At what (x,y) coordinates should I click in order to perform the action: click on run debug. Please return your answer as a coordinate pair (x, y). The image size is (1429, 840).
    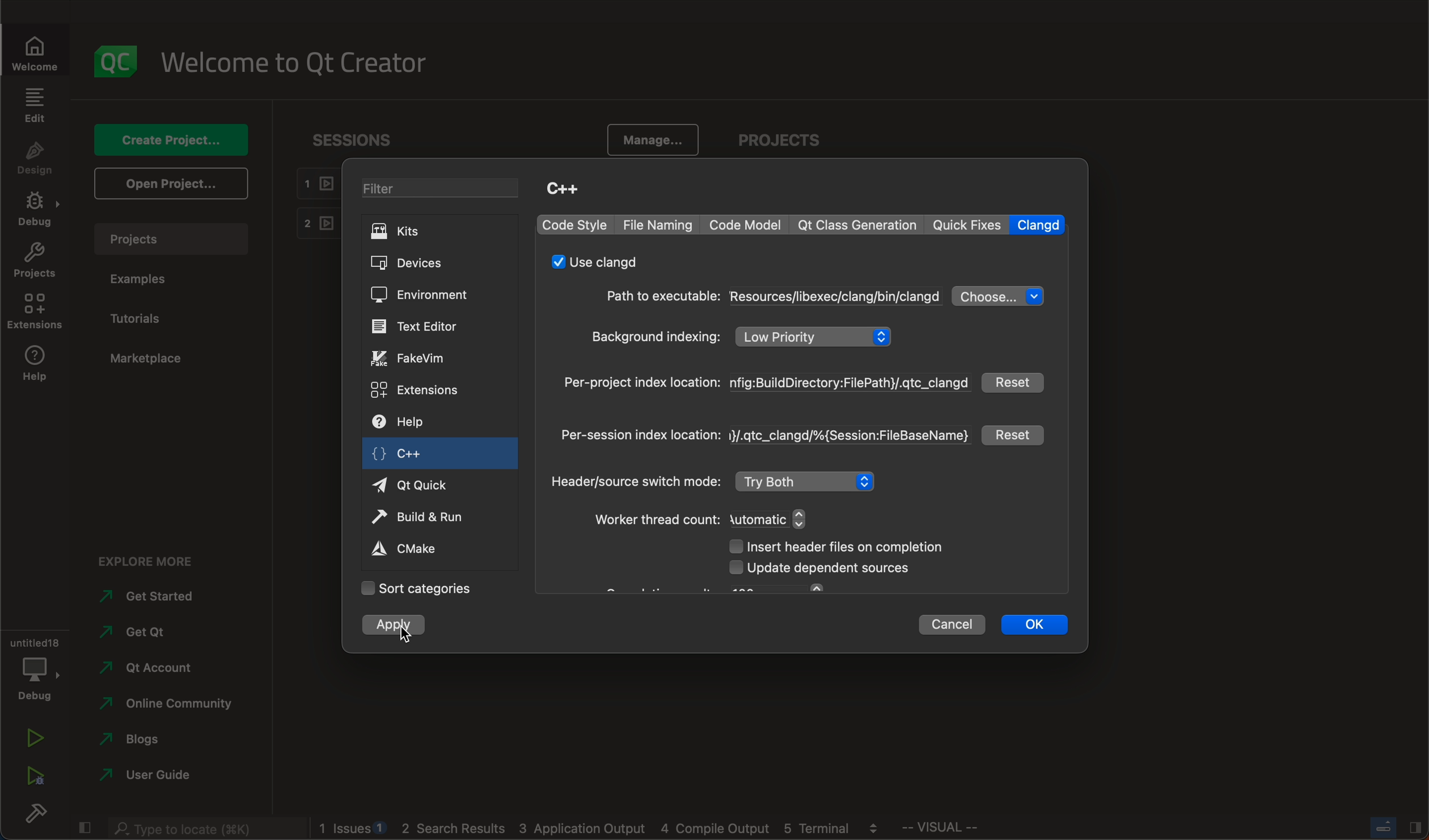
    Looking at the image, I should click on (37, 776).